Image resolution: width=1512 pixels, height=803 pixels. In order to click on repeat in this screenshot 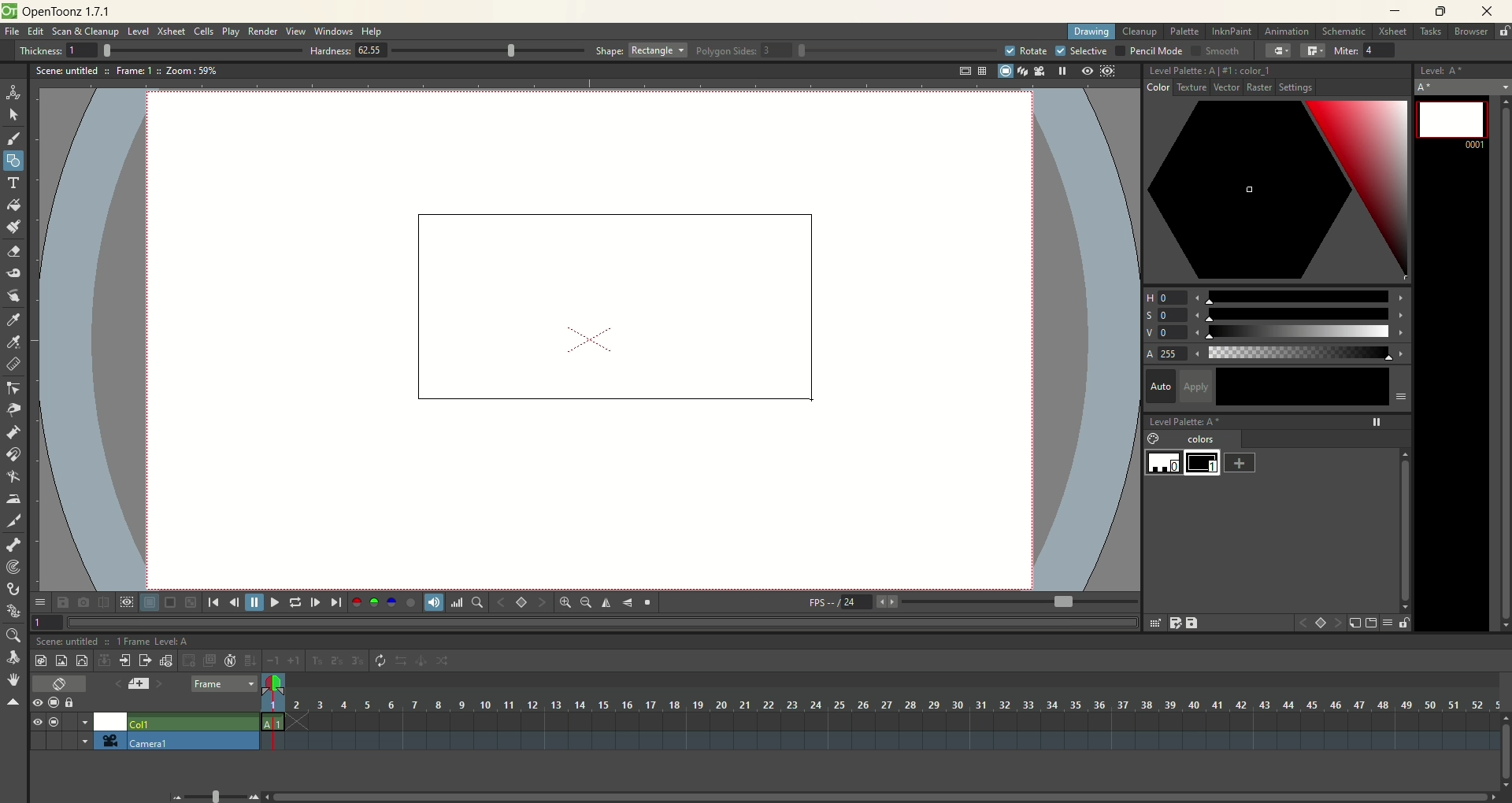, I will do `click(380, 661)`.